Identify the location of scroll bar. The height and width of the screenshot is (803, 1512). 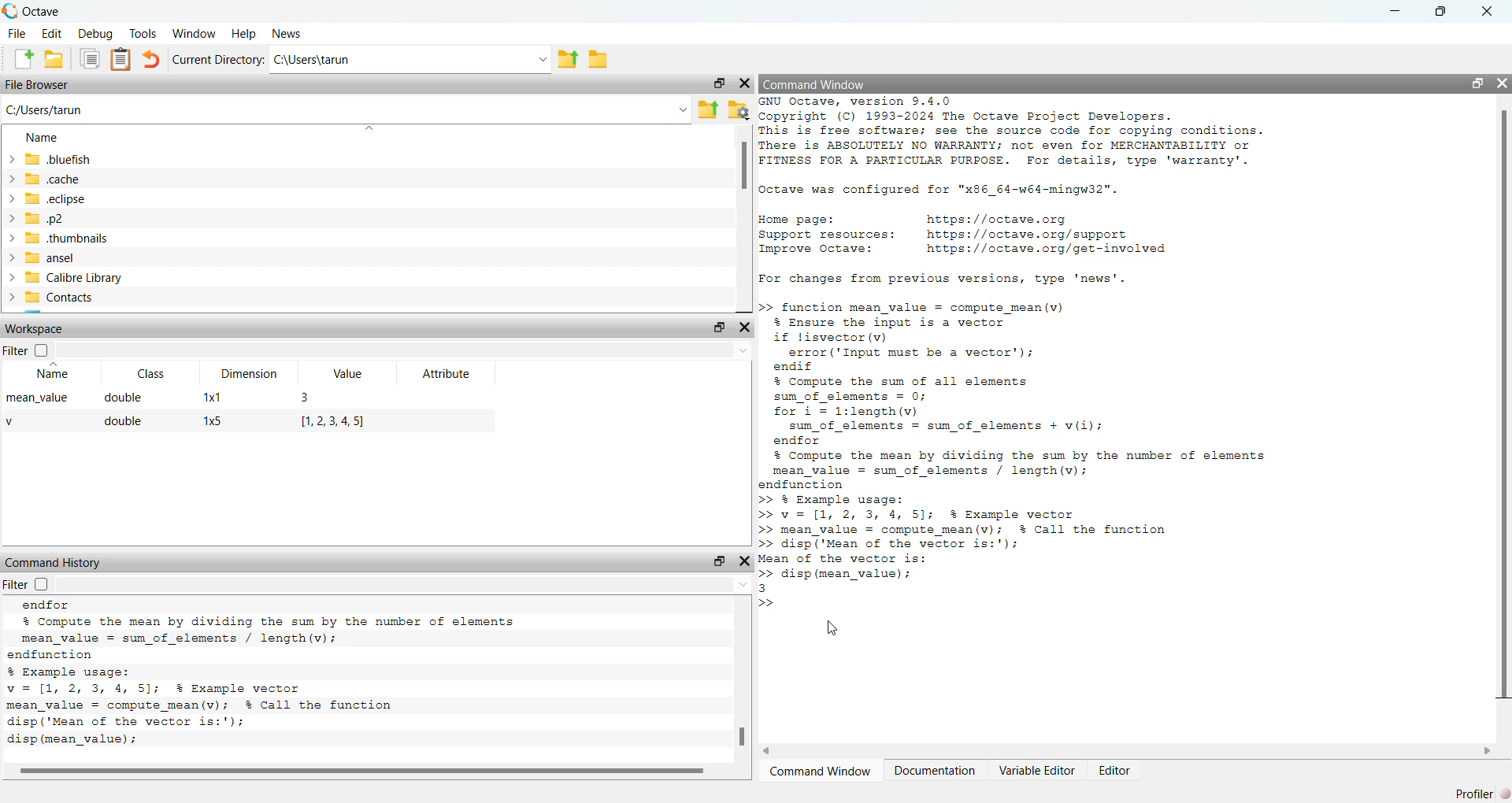
(366, 771).